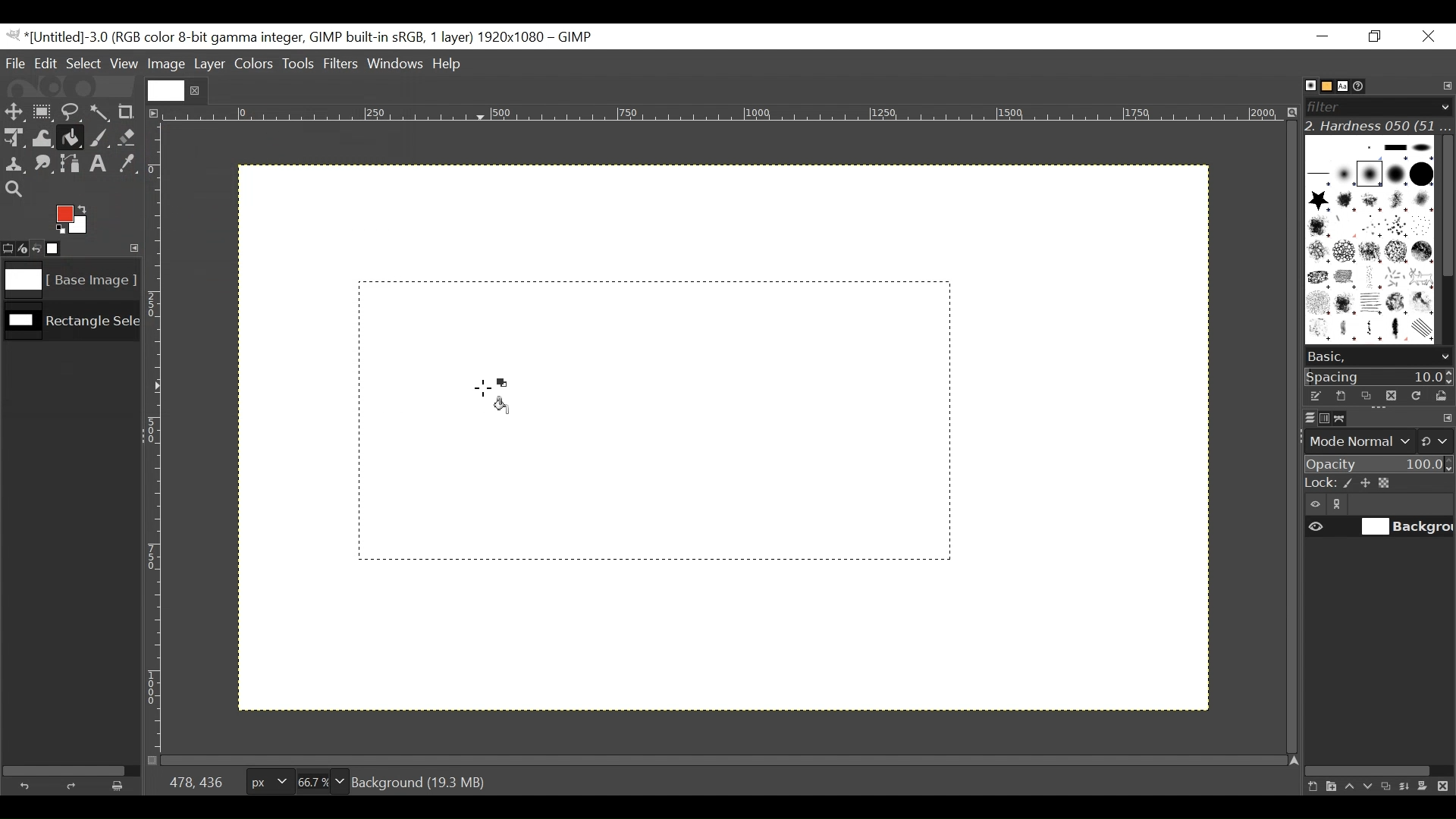 The width and height of the screenshot is (1456, 819). Describe the element at coordinates (1345, 85) in the screenshot. I see `Fonts` at that location.